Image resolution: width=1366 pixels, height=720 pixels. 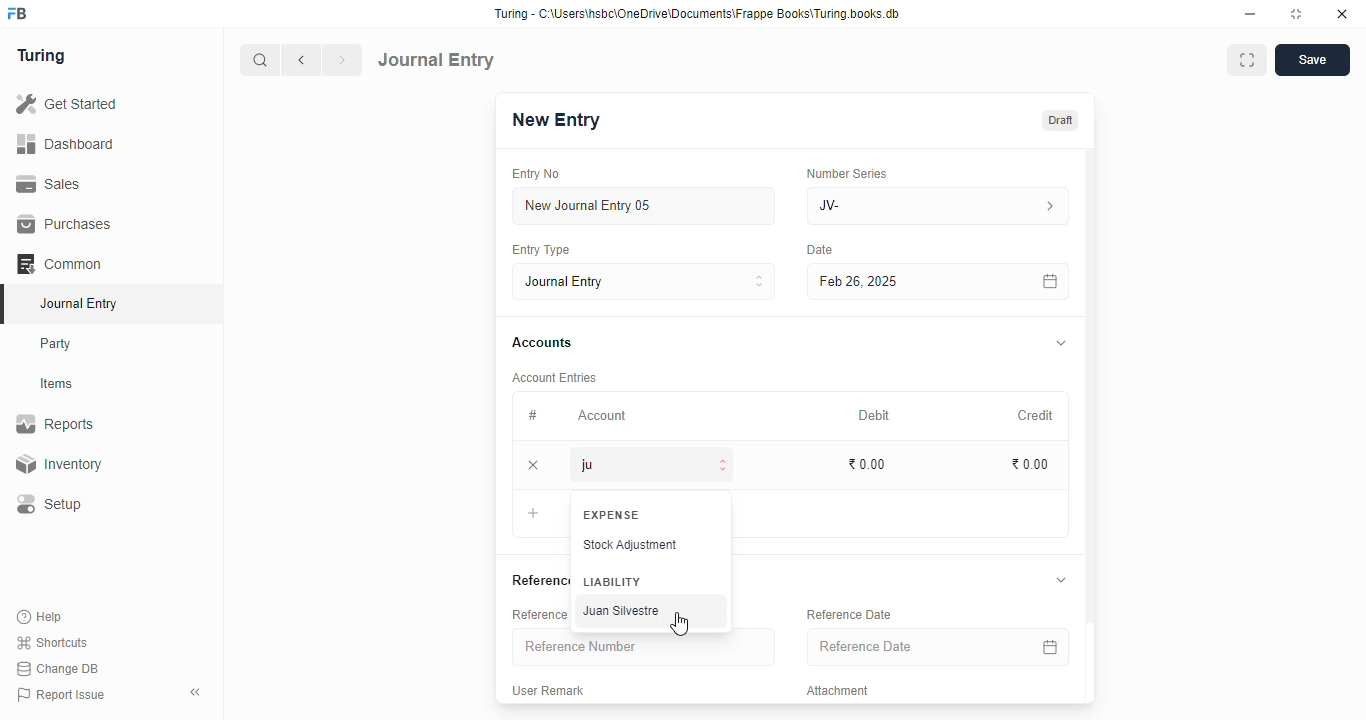 I want to click on scroll bar, so click(x=1091, y=424).